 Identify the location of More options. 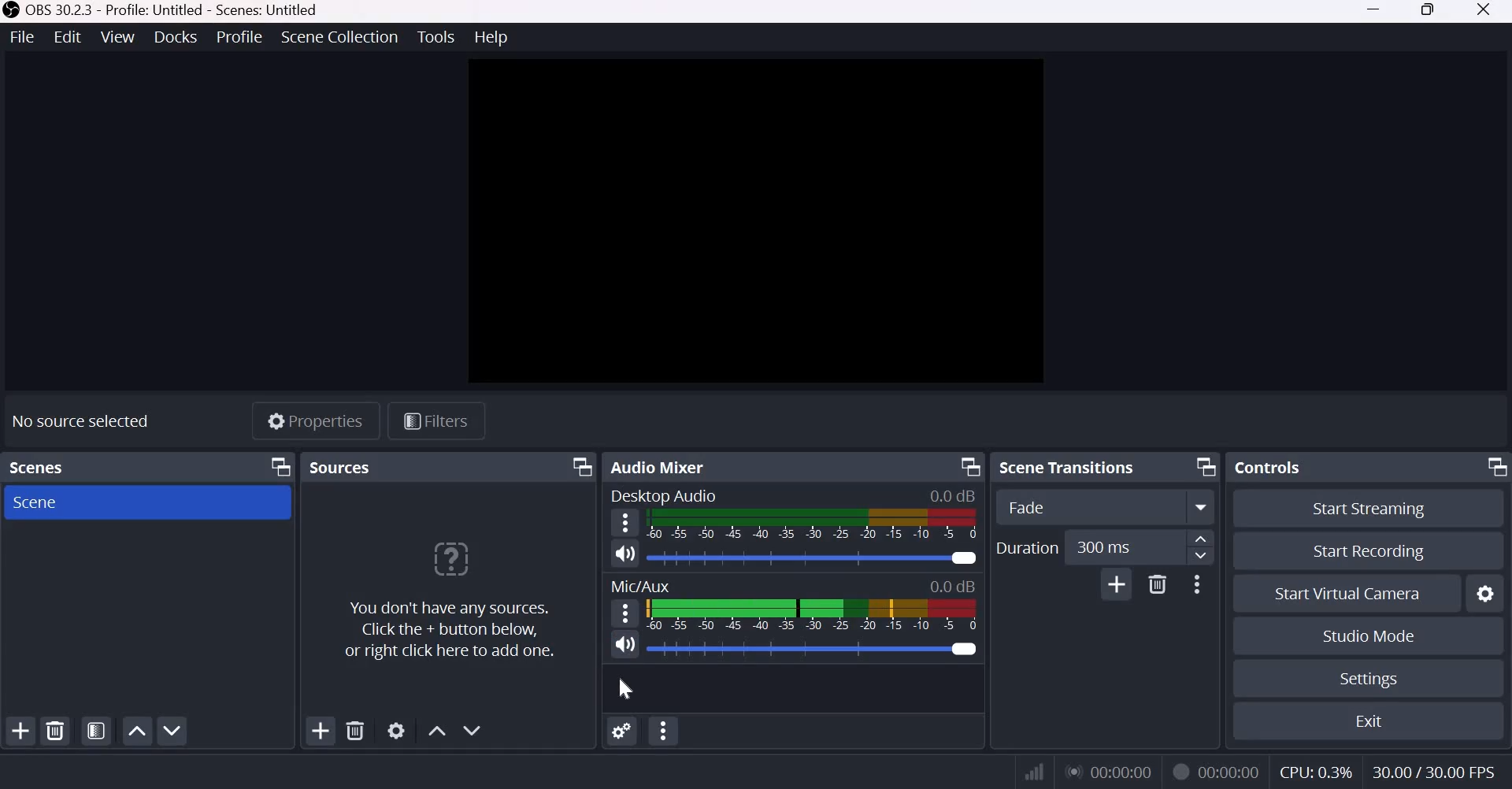
(1202, 506).